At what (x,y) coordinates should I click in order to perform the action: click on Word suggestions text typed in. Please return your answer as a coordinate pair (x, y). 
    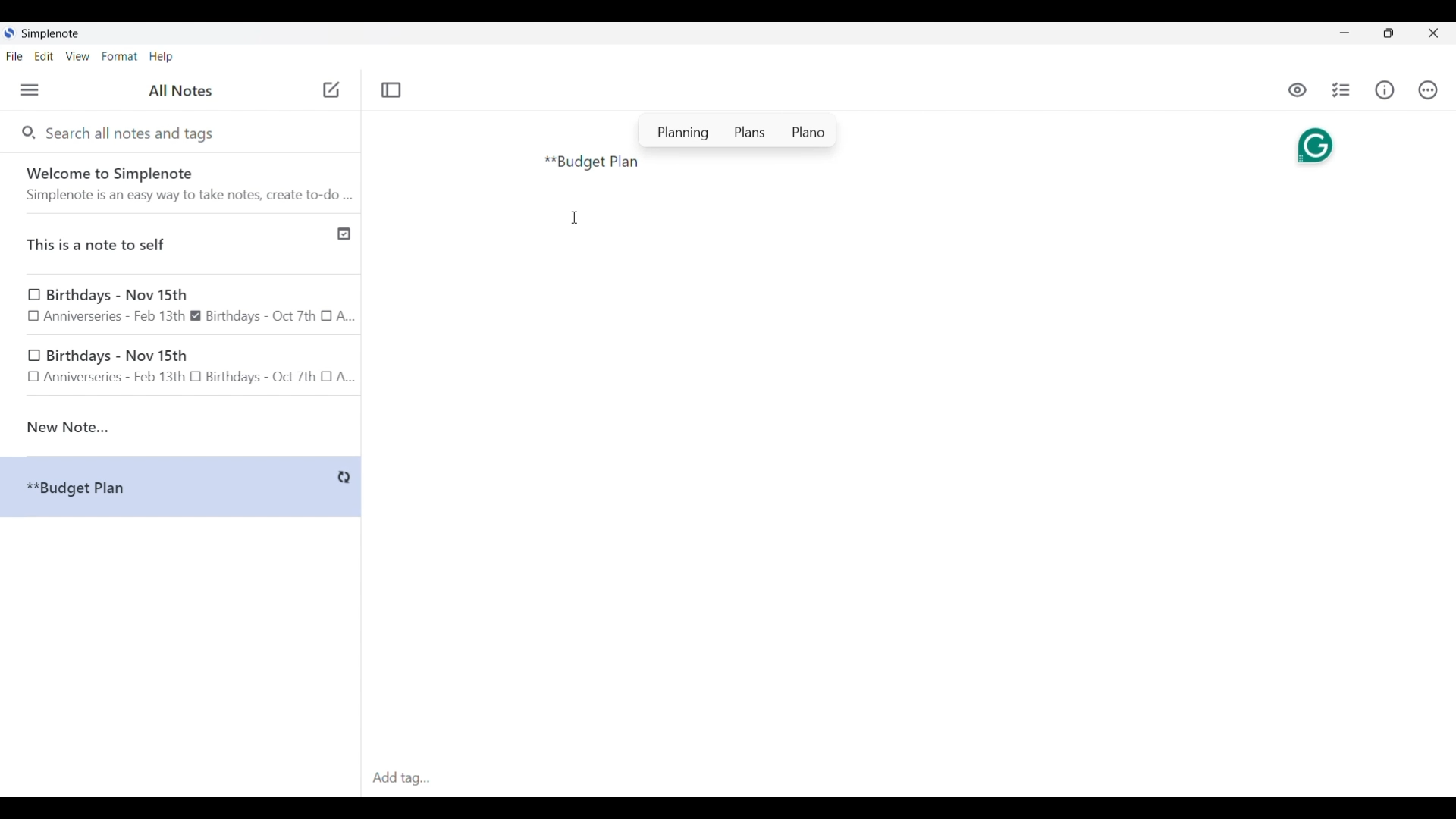
    Looking at the image, I should click on (738, 130).